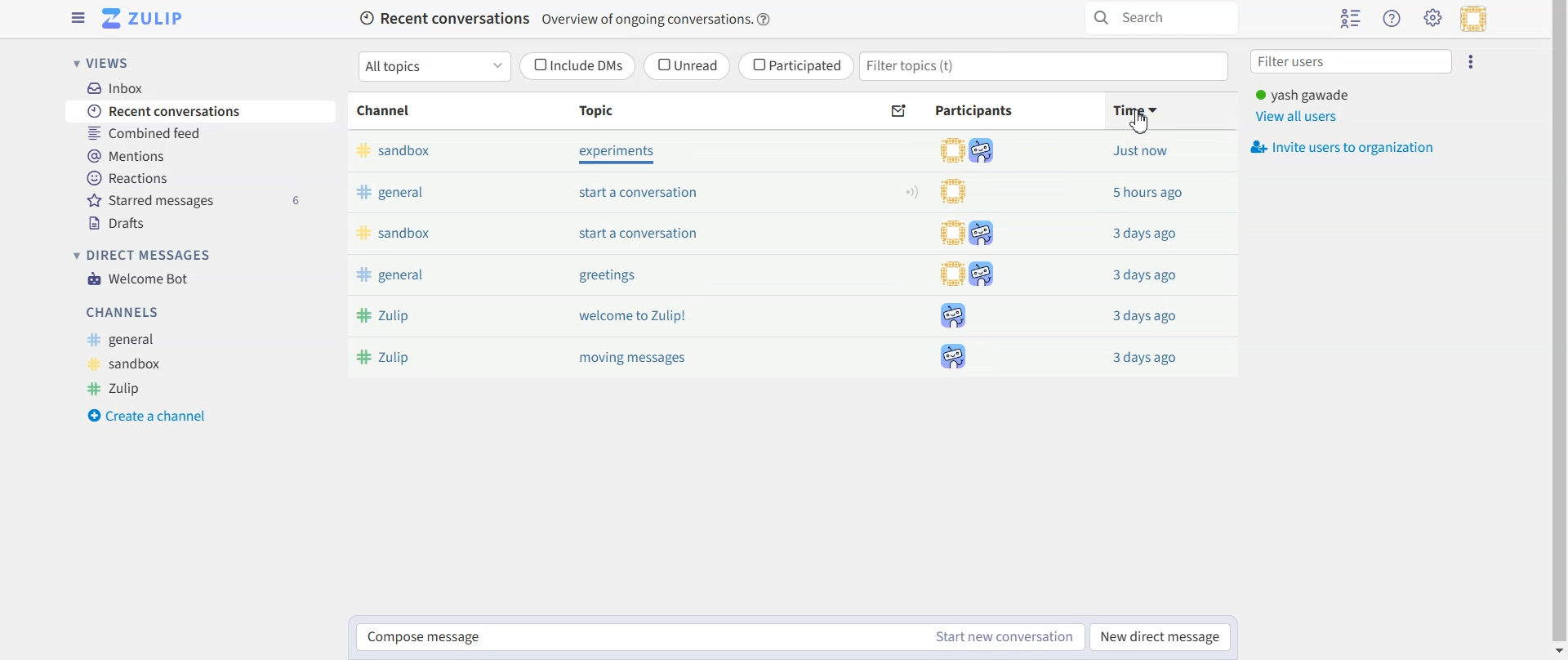  What do you see at coordinates (200, 154) in the screenshot?
I see `Mentions` at bounding box center [200, 154].